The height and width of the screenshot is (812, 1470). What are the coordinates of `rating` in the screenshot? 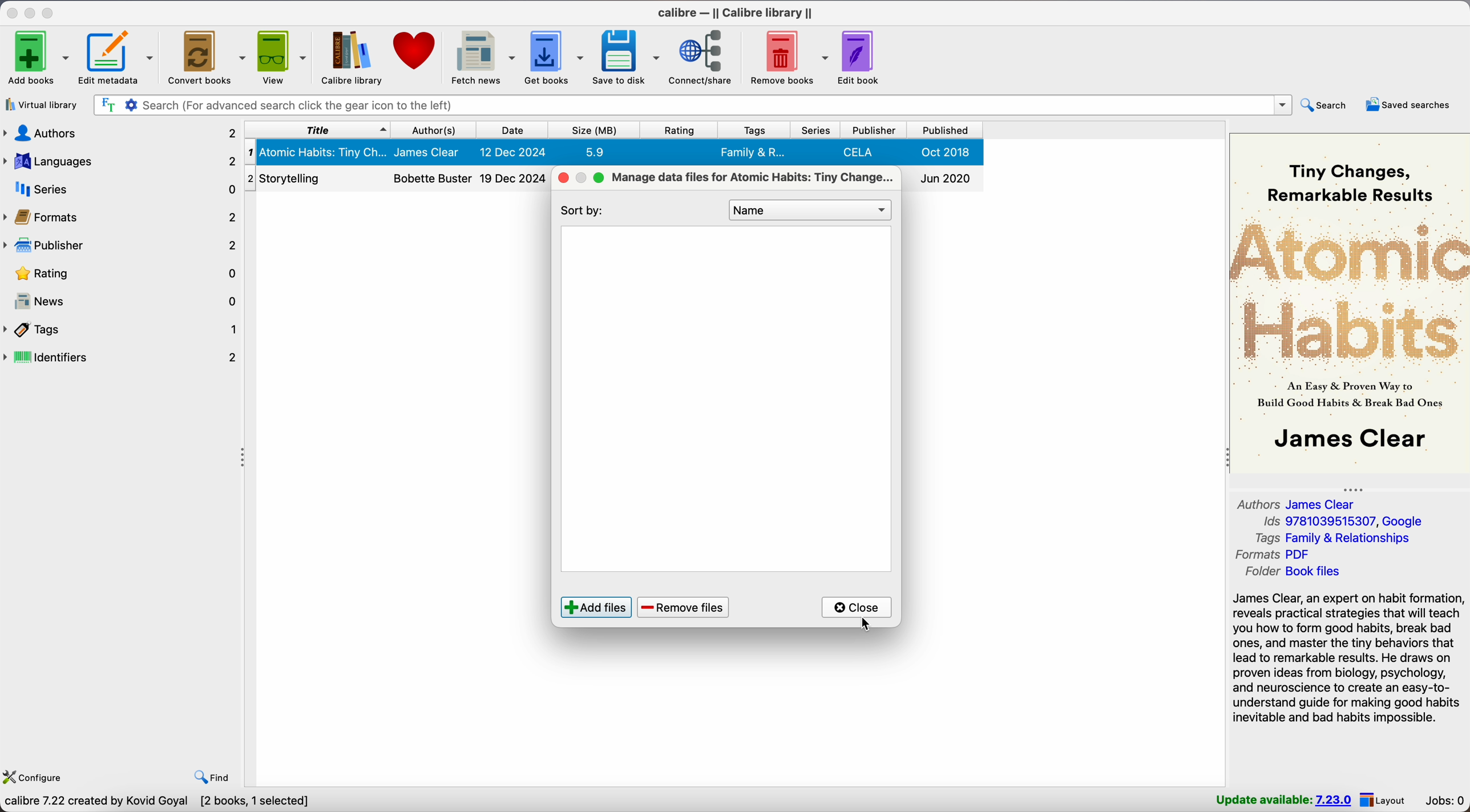 It's located at (126, 274).